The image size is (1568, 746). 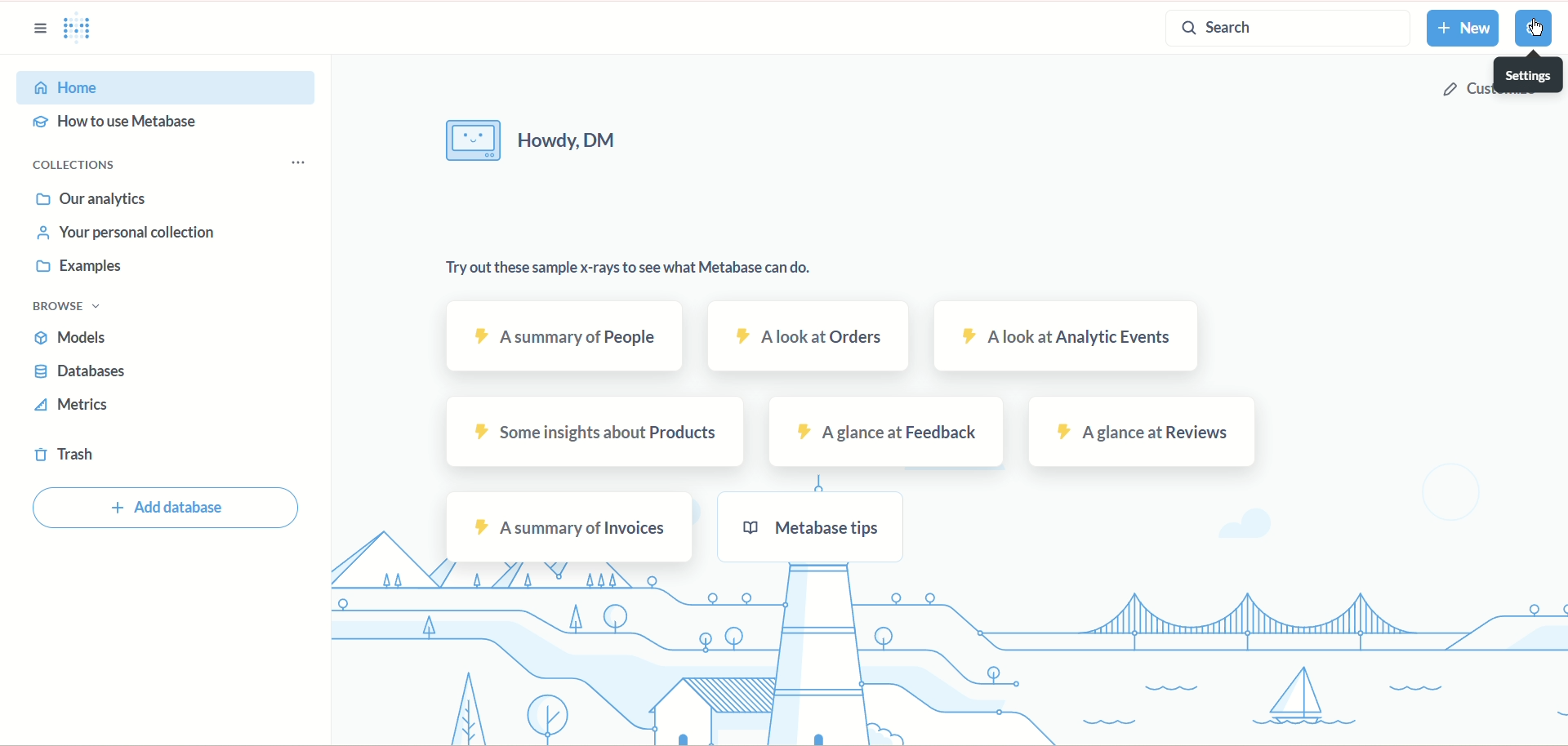 I want to click on new, so click(x=1462, y=29).